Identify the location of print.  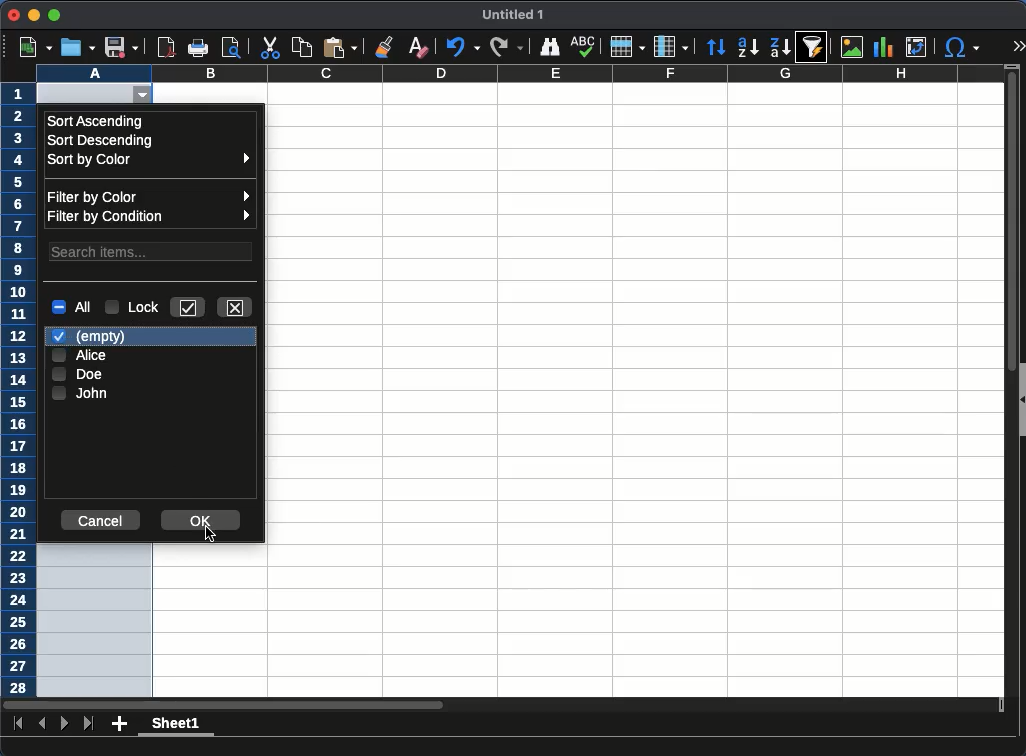
(198, 48).